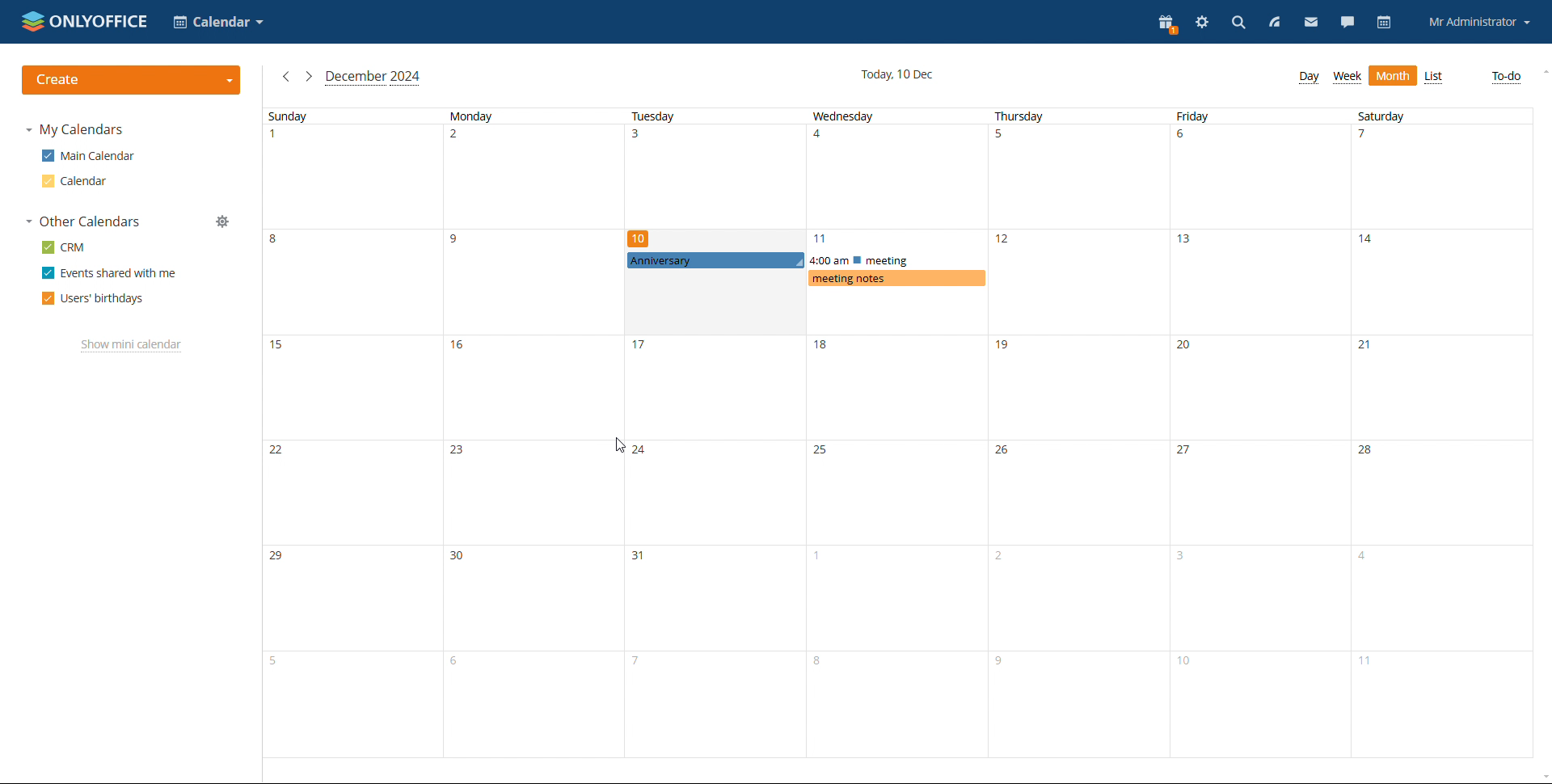  Describe the element at coordinates (218, 21) in the screenshot. I see `select application` at that location.